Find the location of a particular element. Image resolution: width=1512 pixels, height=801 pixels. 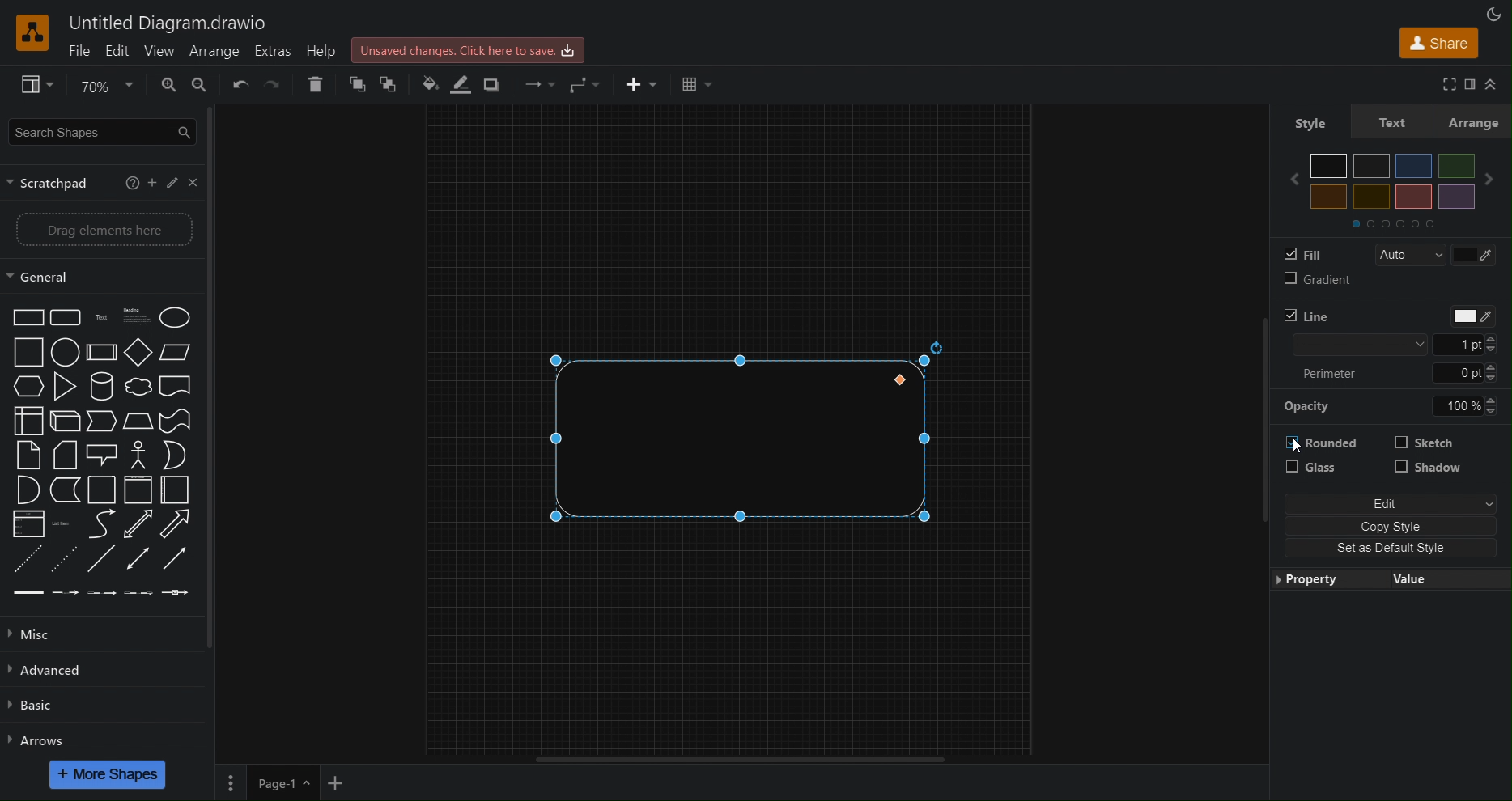

Line is located at coordinates (1306, 316).